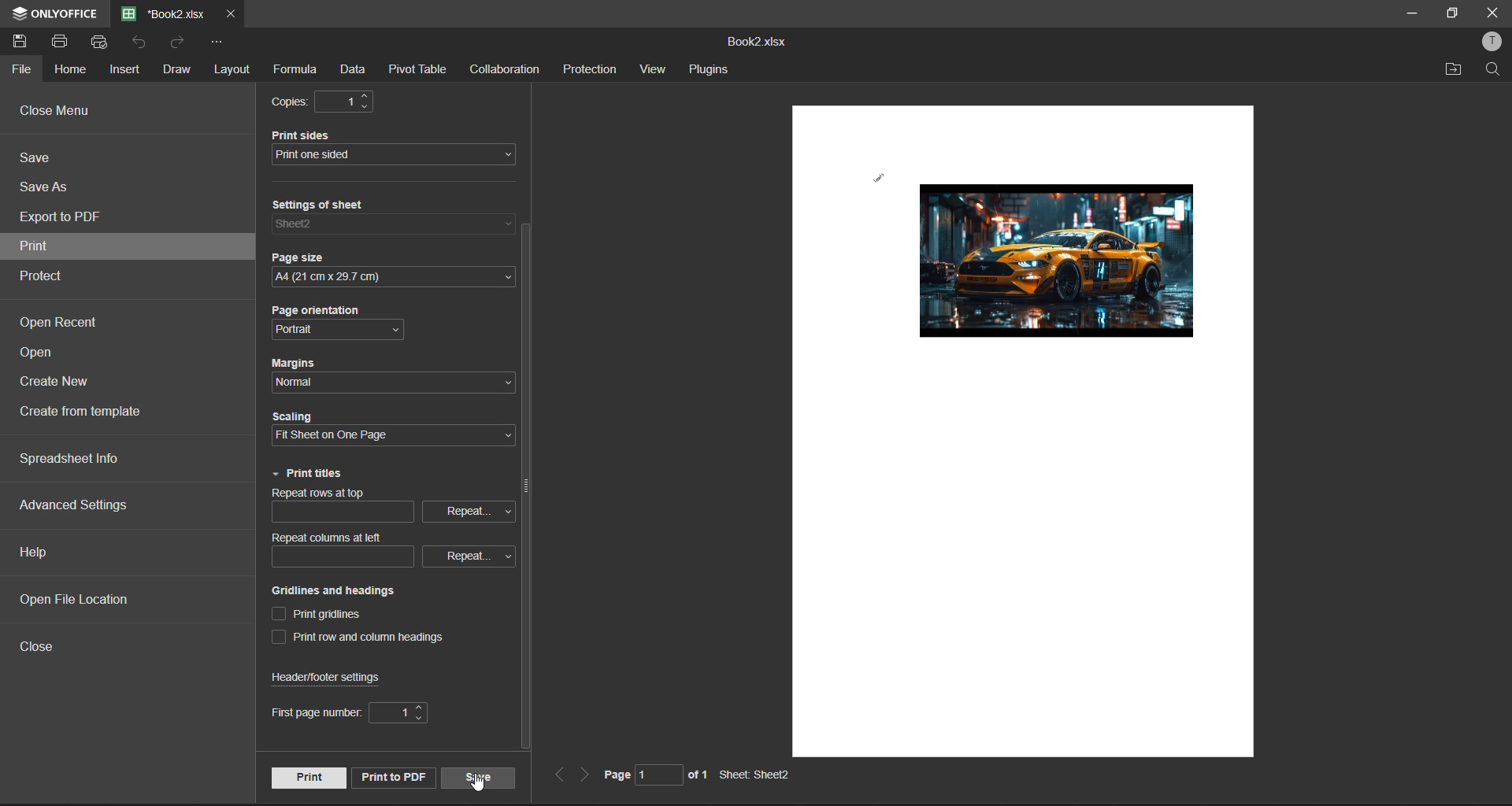 Image resolution: width=1512 pixels, height=806 pixels. I want to click on spreadsheet info, so click(86, 459).